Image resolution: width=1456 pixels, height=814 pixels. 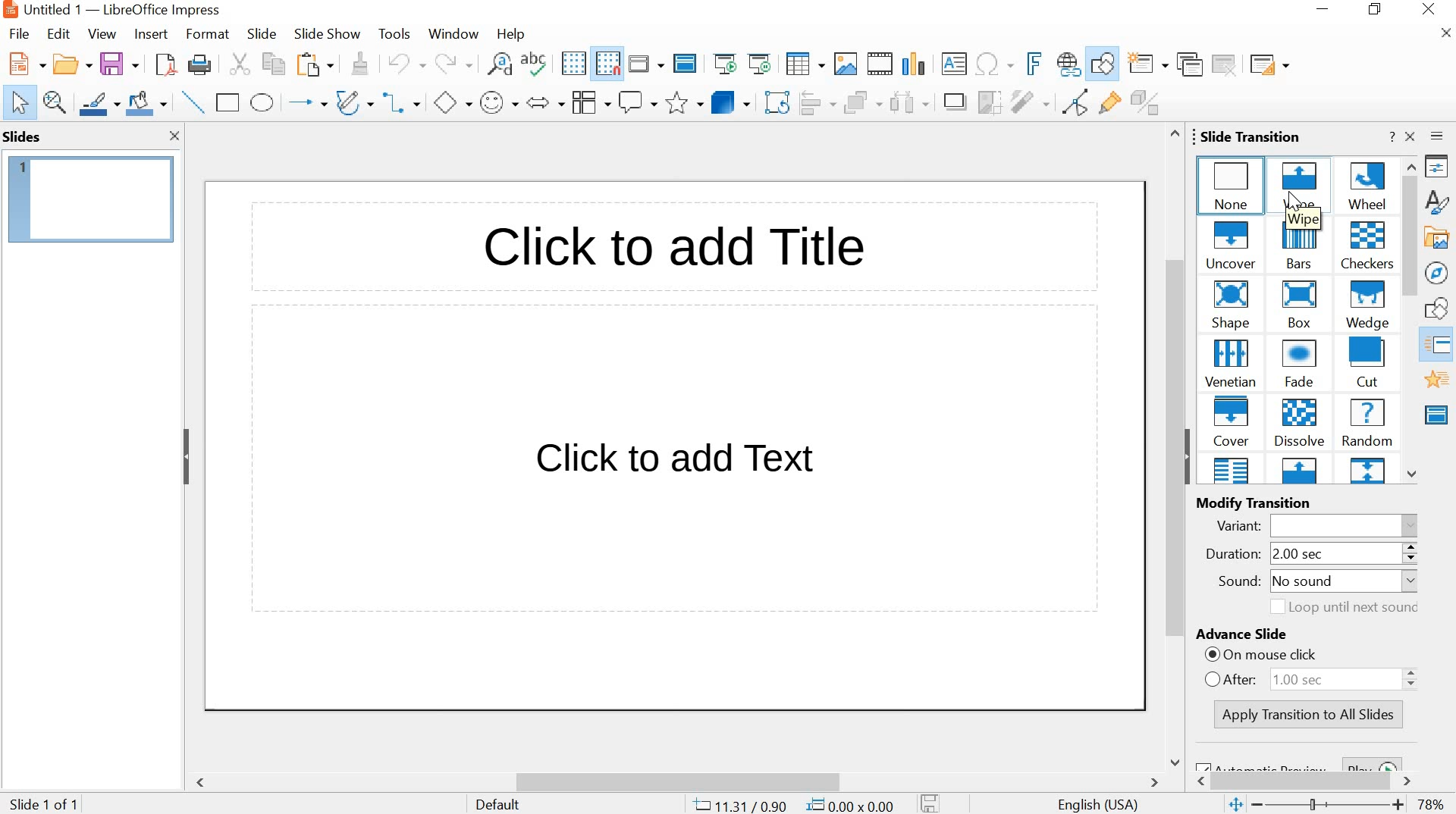 I want to click on scrollbar, so click(x=1412, y=320).